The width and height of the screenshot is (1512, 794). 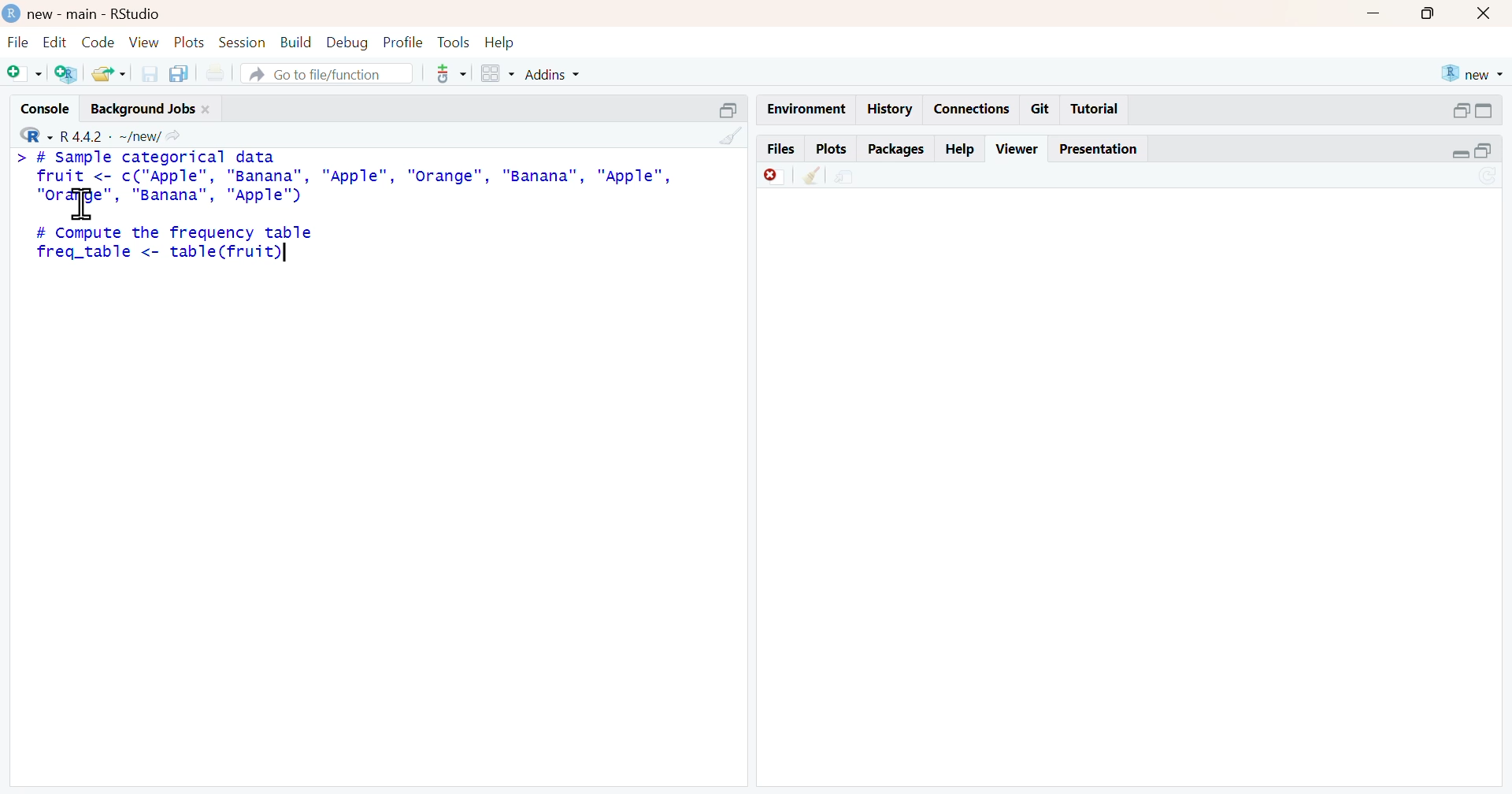 What do you see at coordinates (1369, 15) in the screenshot?
I see `minimize` at bounding box center [1369, 15].